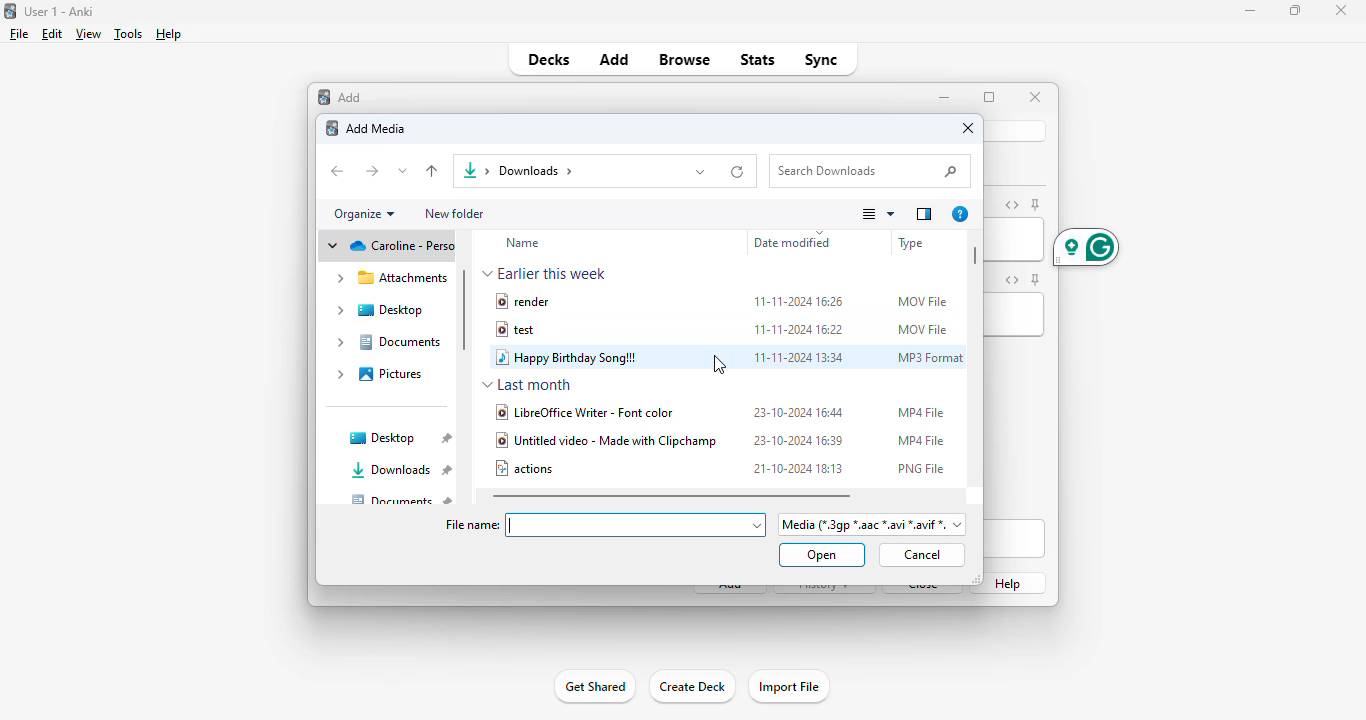 Image resolution: width=1366 pixels, height=720 pixels. I want to click on browse, so click(683, 60).